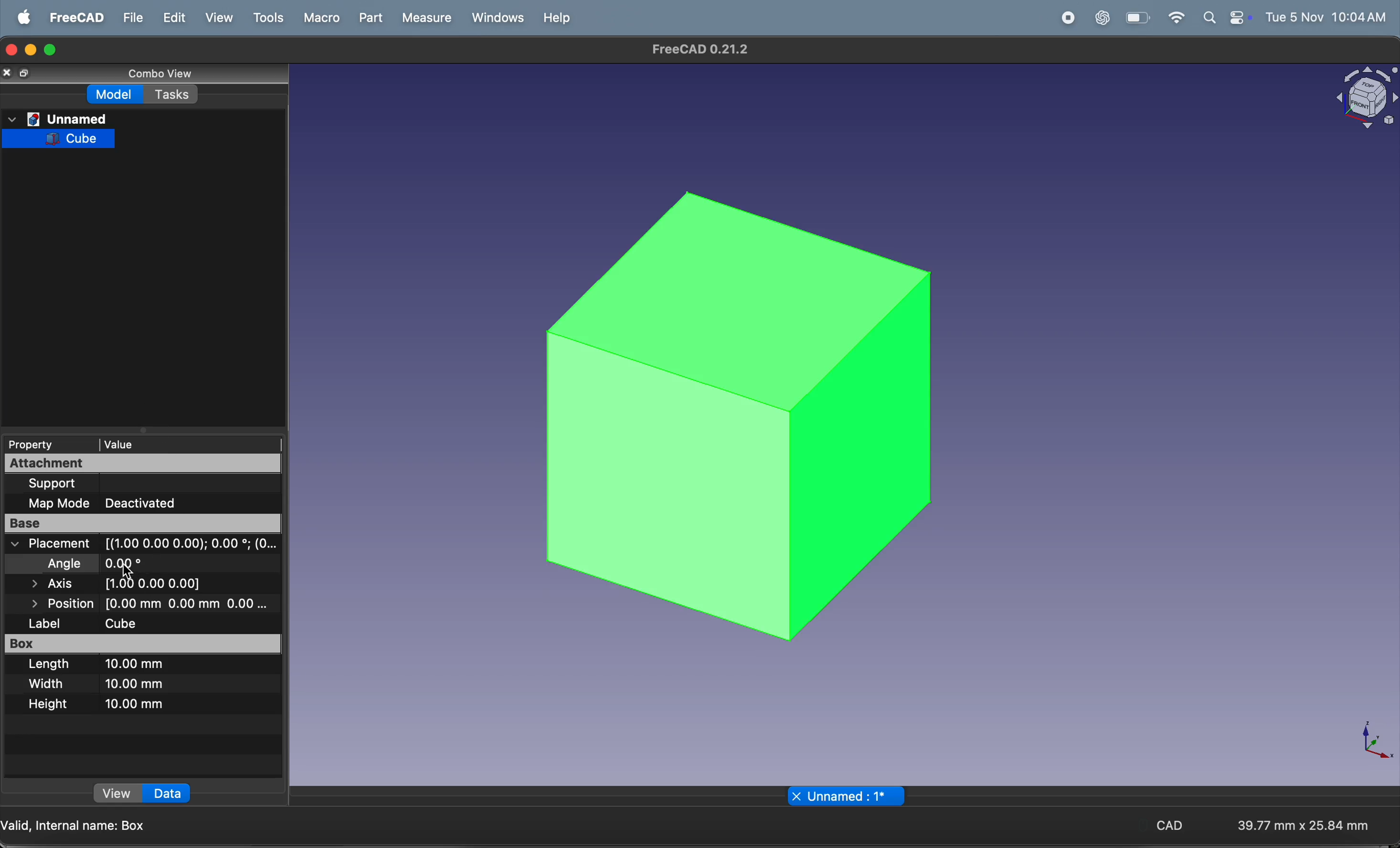  What do you see at coordinates (53, 49) in the screenshot?
I see `maximize` at bounding box center [53, 49].